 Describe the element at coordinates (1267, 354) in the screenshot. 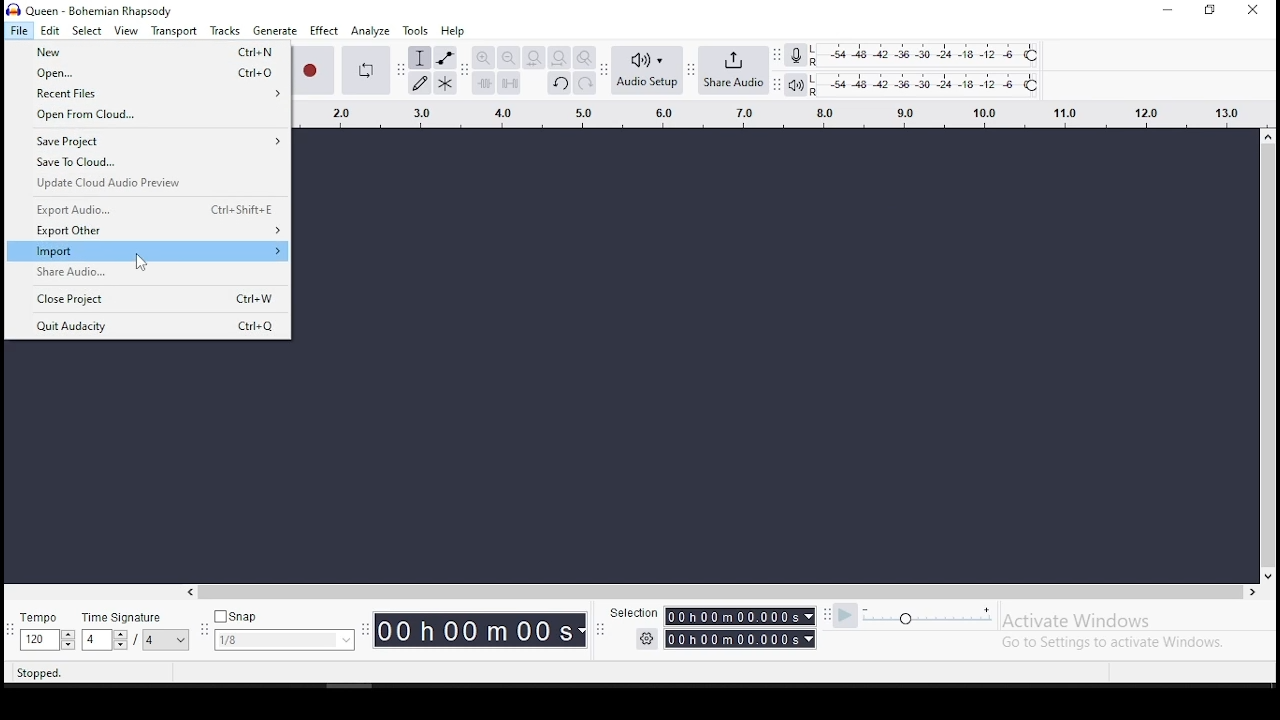

I see `scroll bar` at that location.